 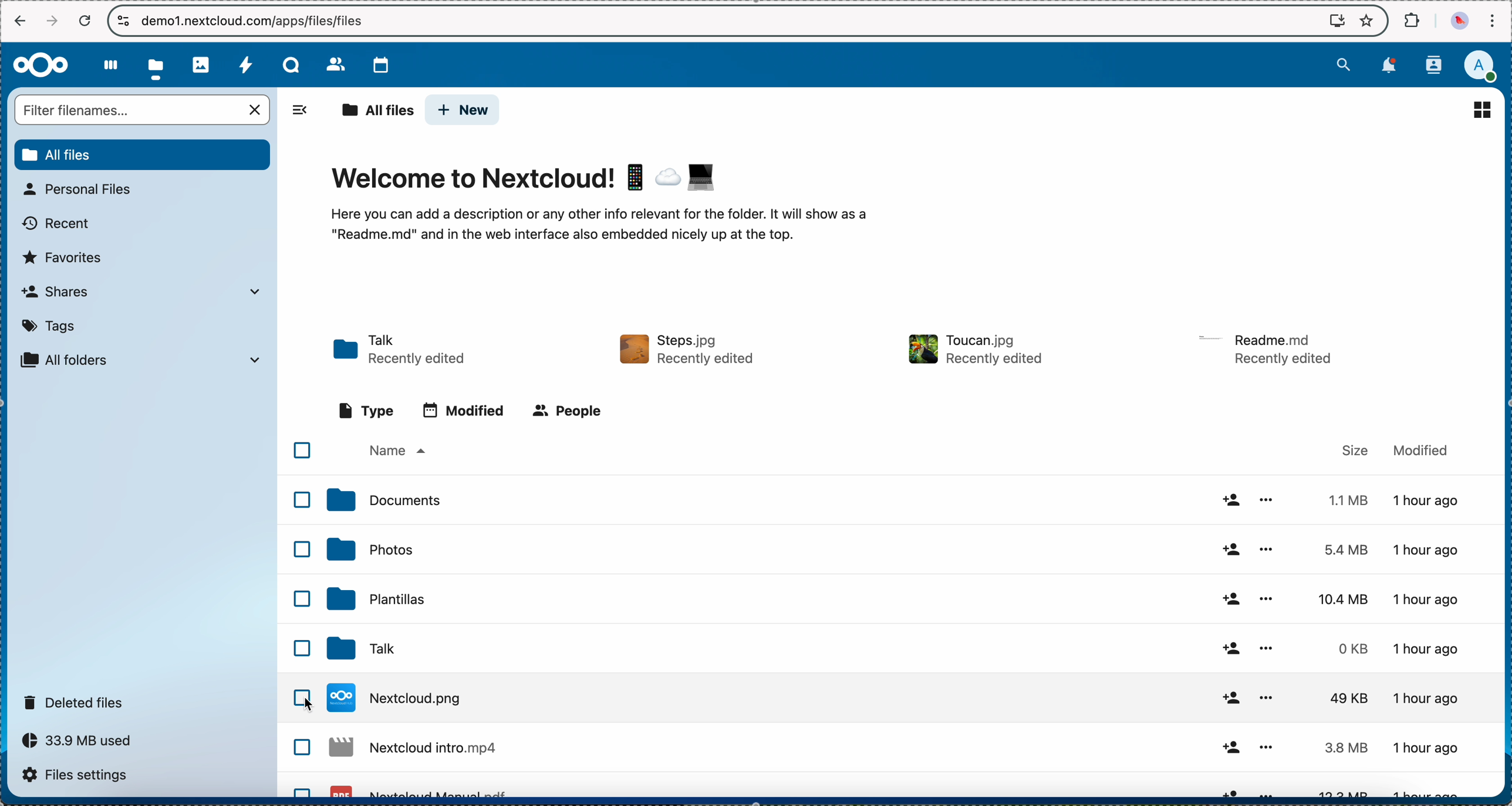 What do you see at coordinates (897, 550) in the screenshot?
I see `photos` at bounding box center [897, 550].